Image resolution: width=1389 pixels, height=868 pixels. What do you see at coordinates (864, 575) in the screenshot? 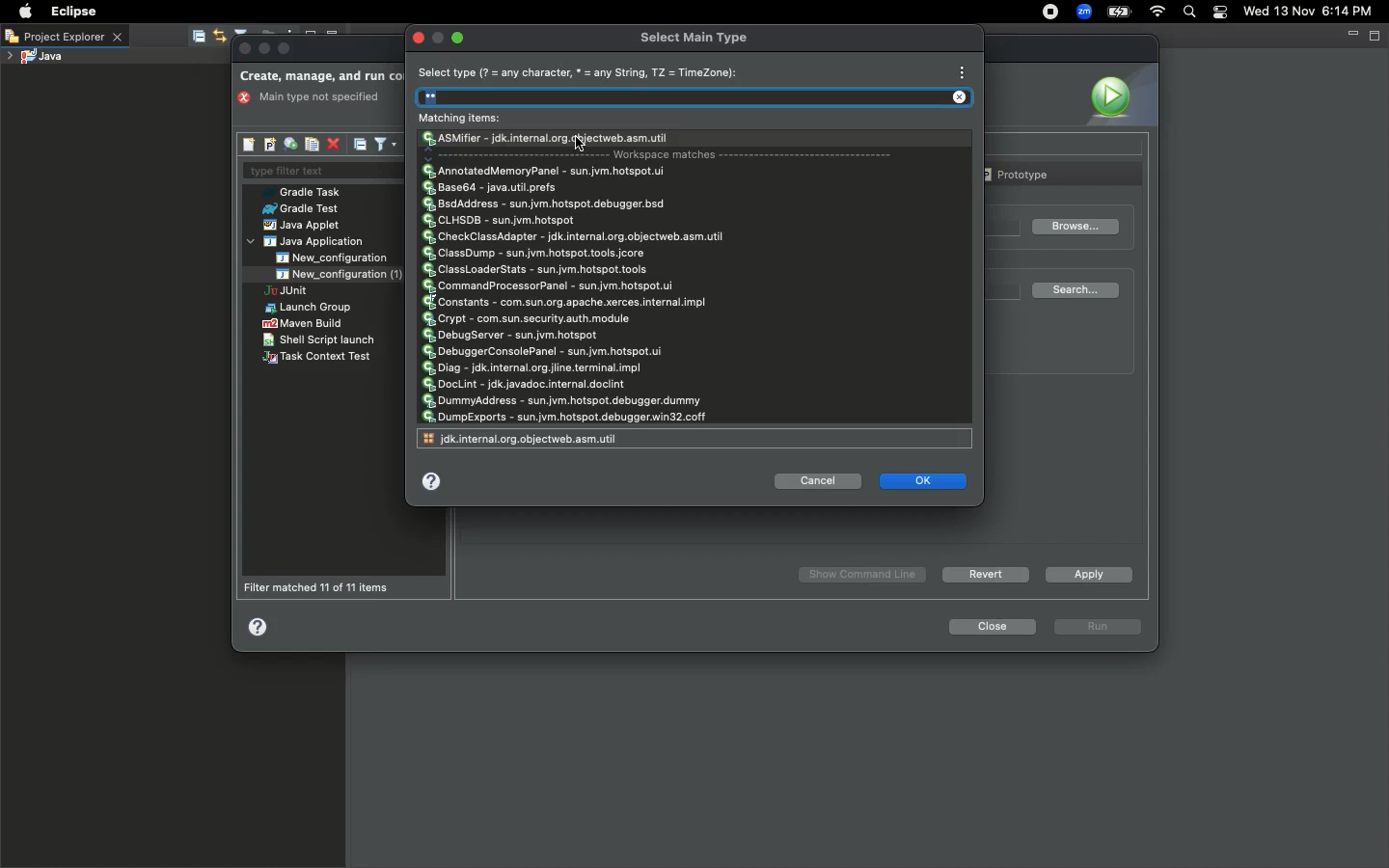
I see `Show Command Line` at bounding box center [864, 575].